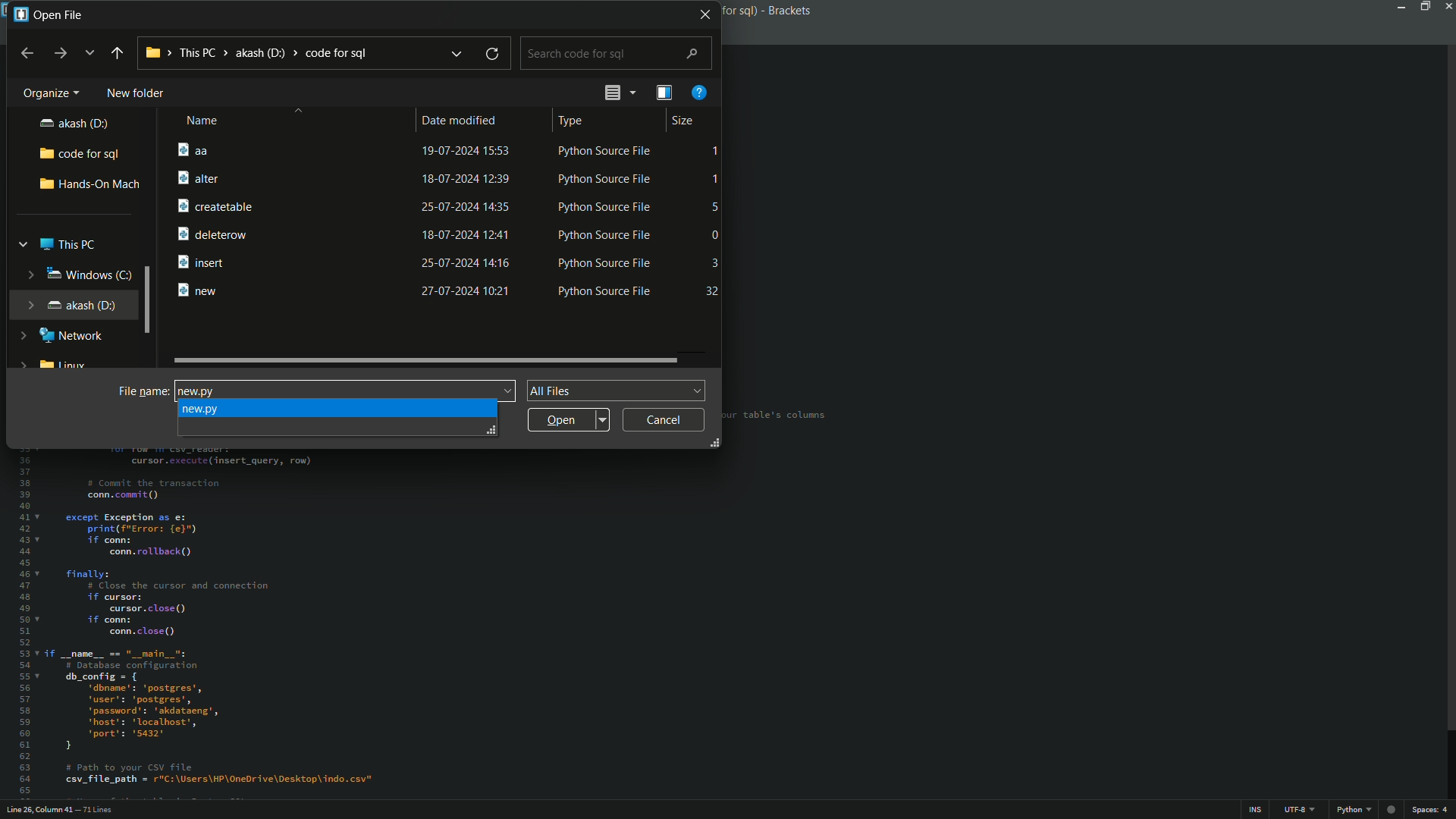 The height and width of the screenshot is (819, 1456). I want to click on cancel, so click(664, 419).